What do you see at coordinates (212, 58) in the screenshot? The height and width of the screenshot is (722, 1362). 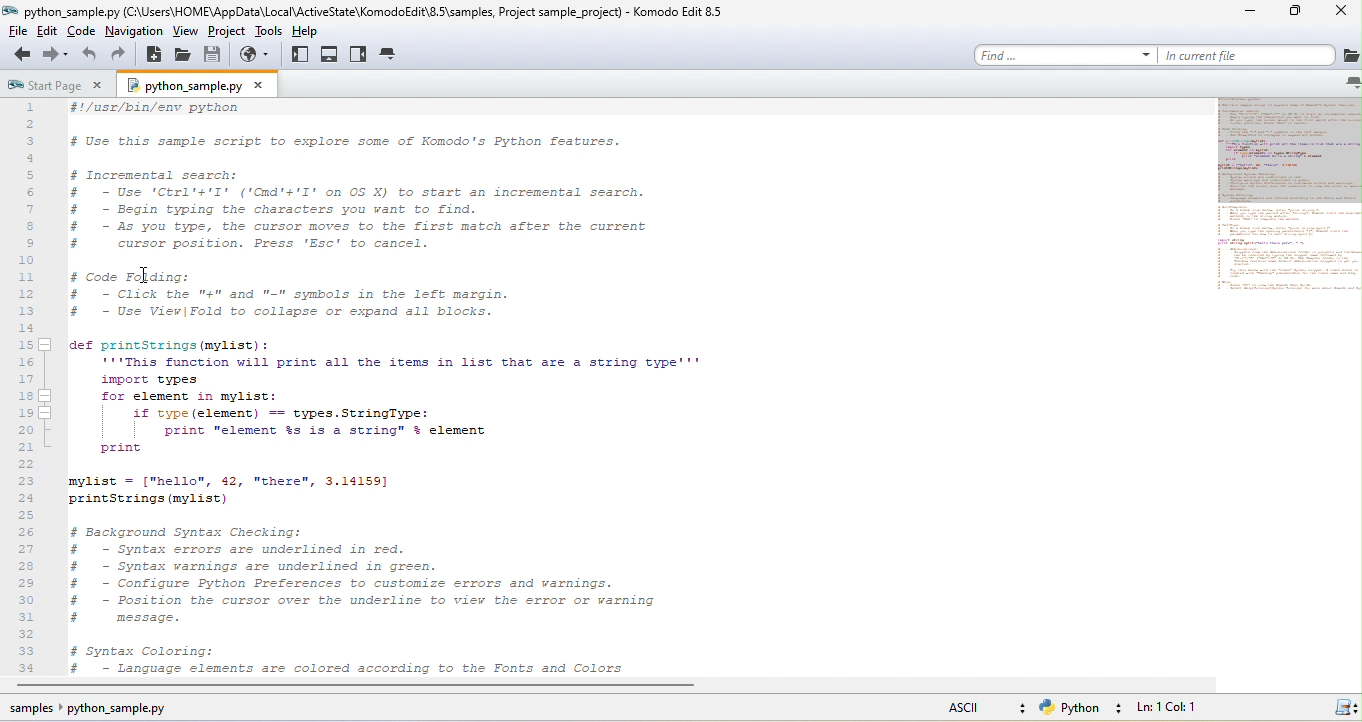 I see `save` at bounding box center [212, 58].